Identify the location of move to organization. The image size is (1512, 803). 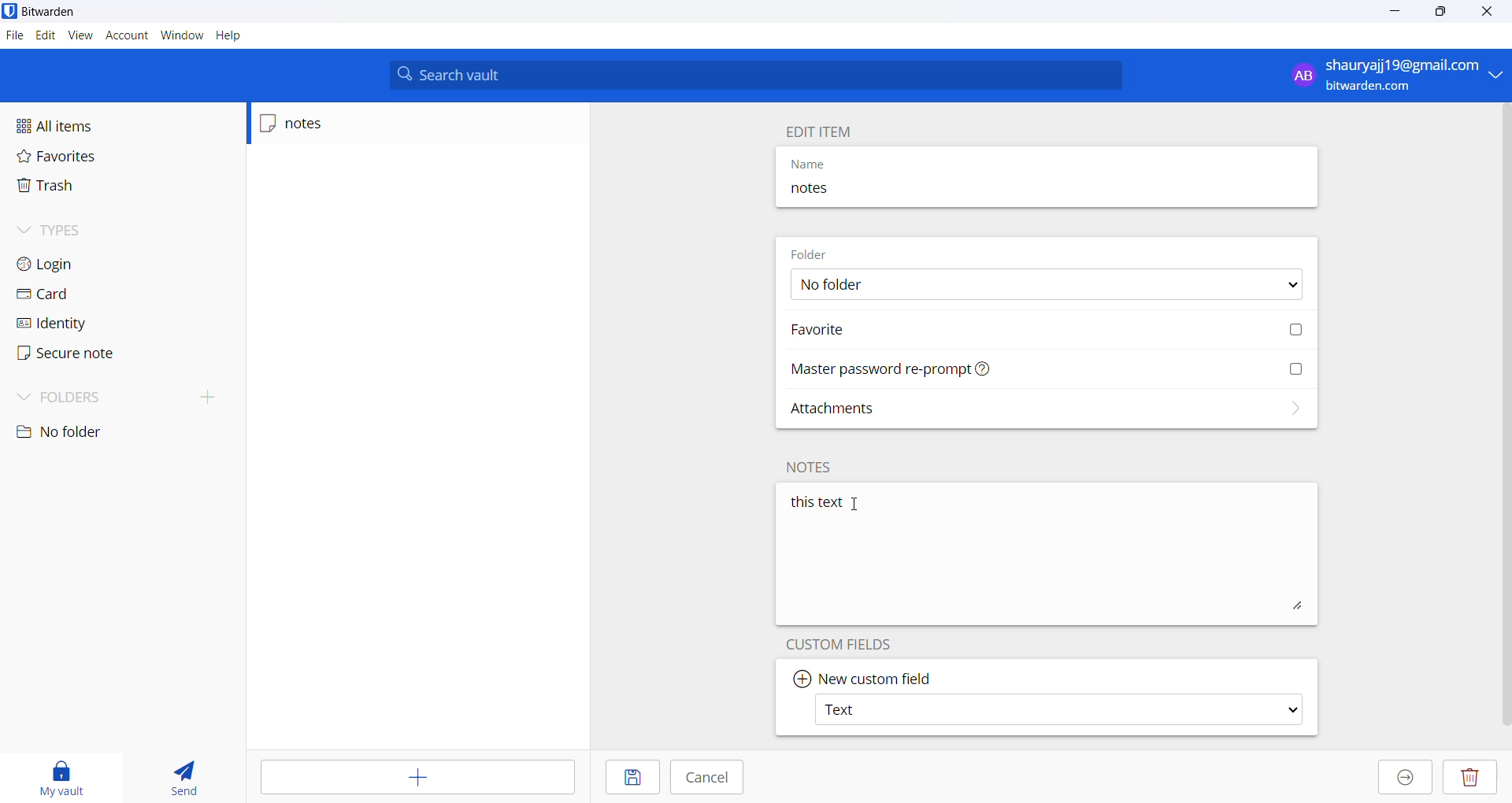
(1405, 778).